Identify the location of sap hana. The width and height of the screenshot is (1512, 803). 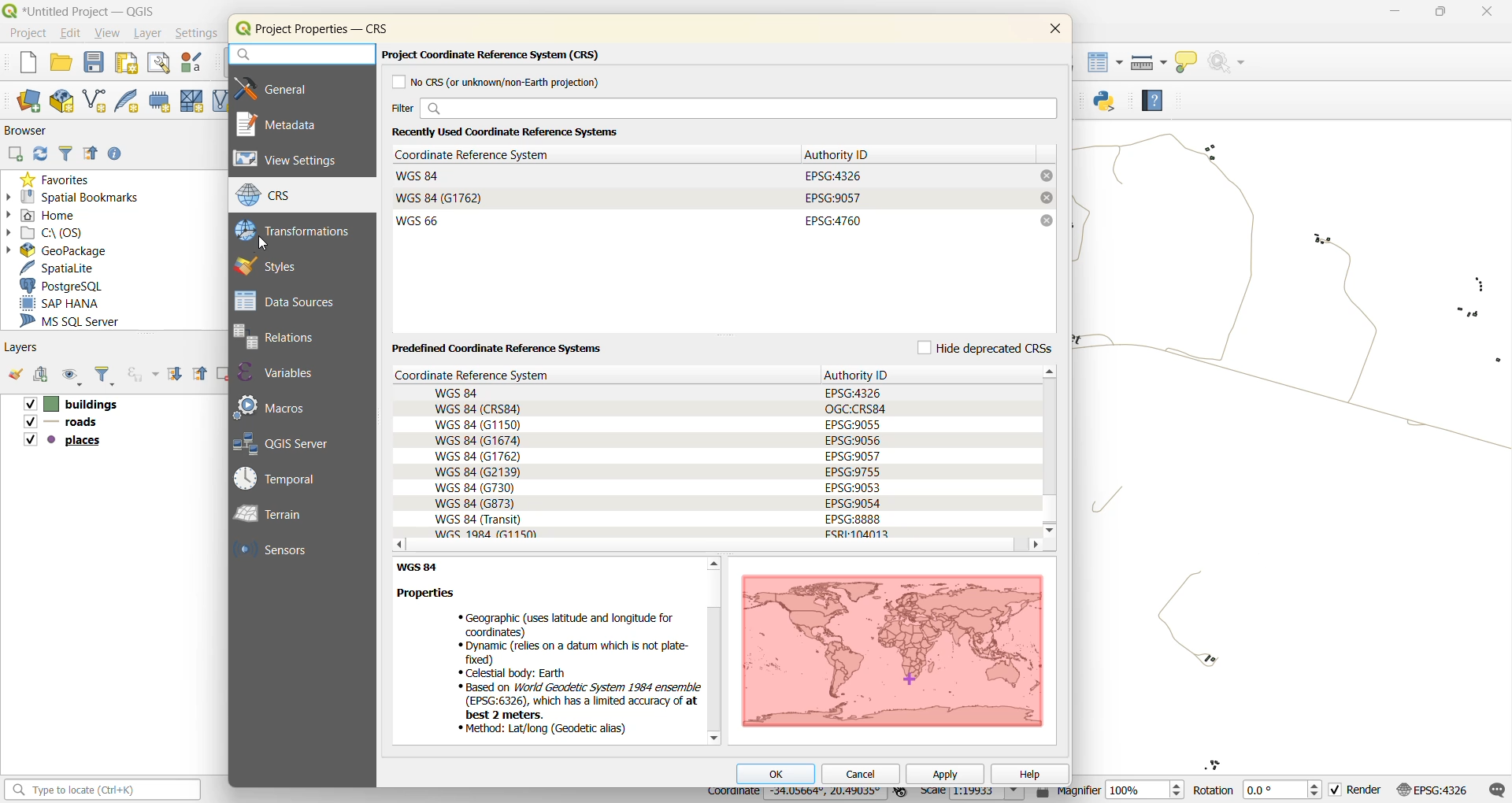
(76, 303).